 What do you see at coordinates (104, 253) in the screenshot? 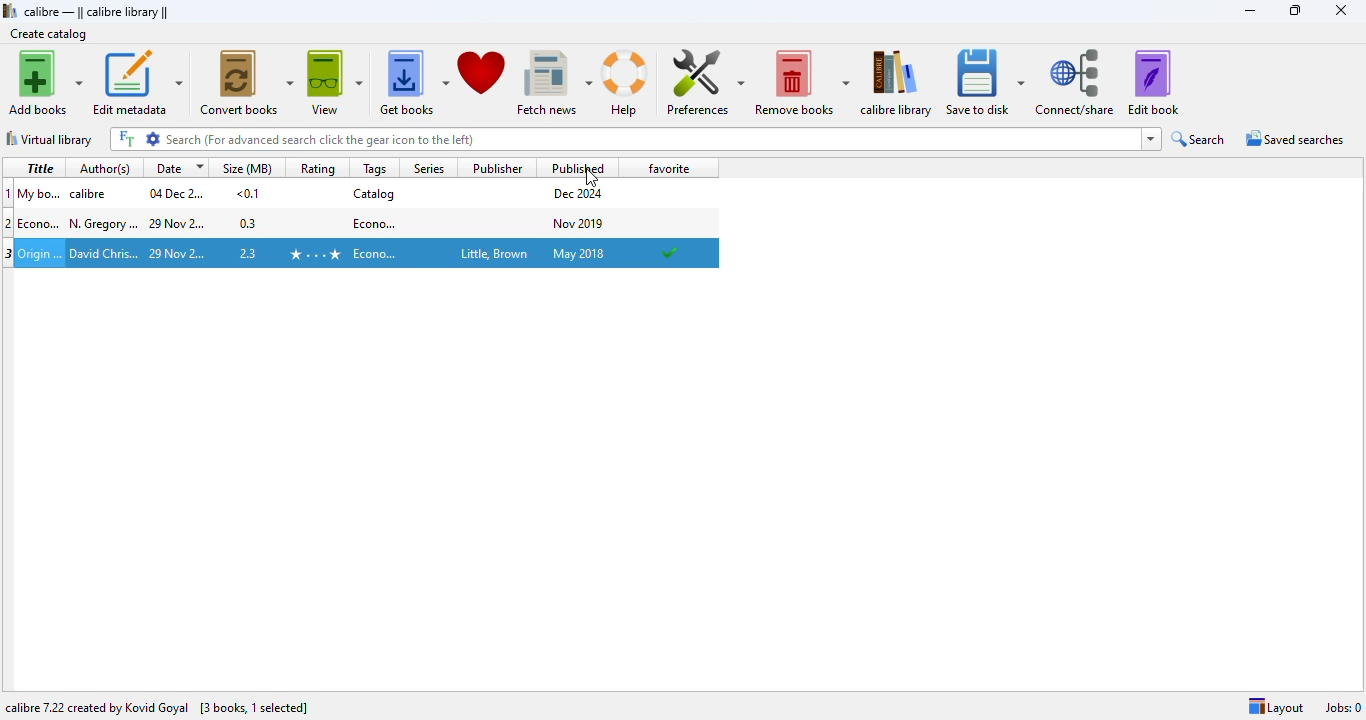
I see `author` at bounding box center [104, 253].